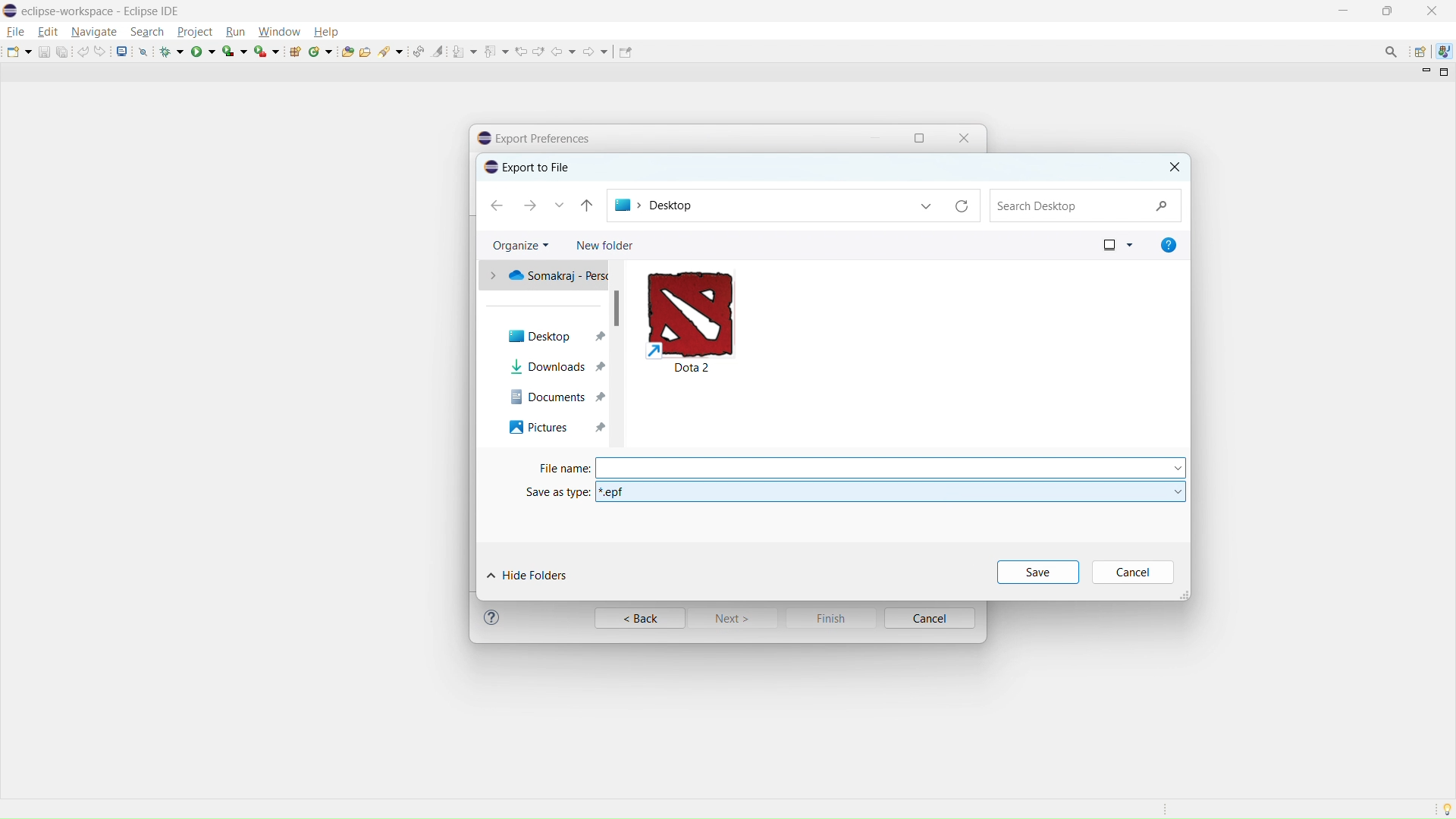 The height and width of the screenshot is (819, 1456). What do you see at coordinates (1419, 52) in the screenshot?
I see `open perspective` at bounding box center [1419, 52].